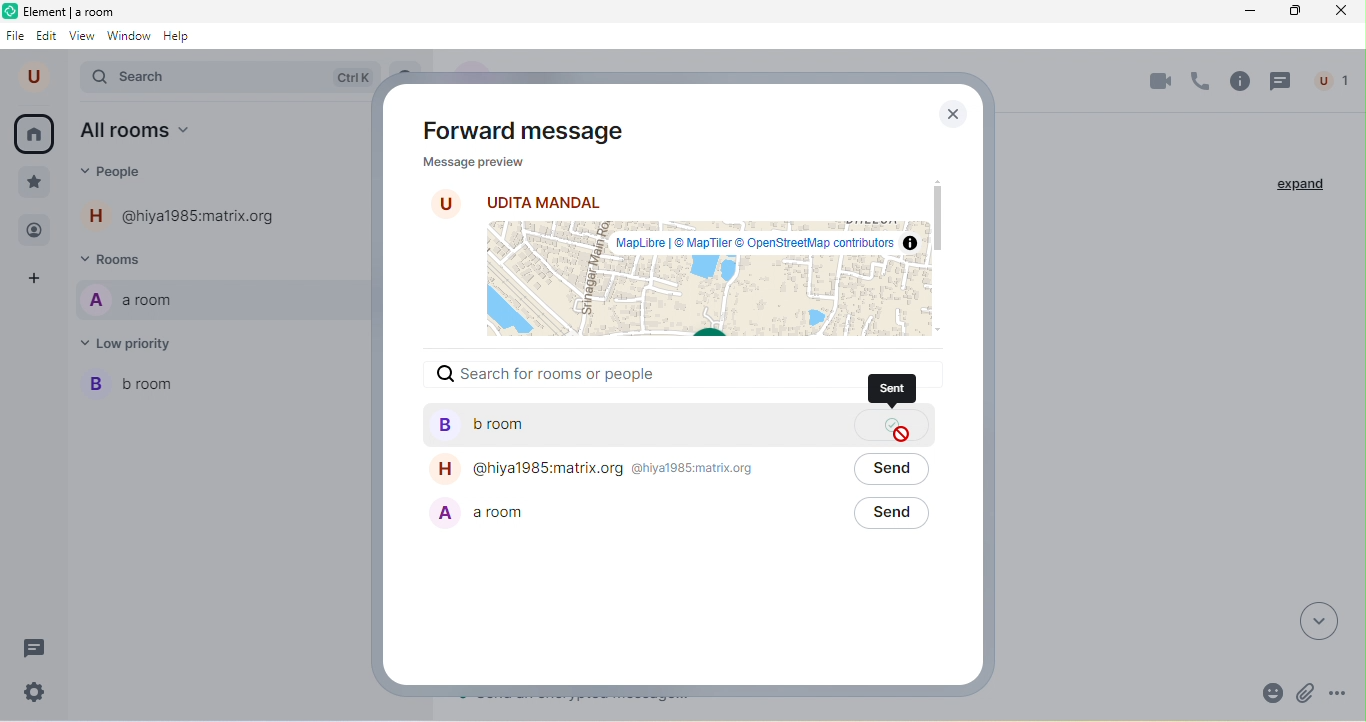  What do you see at coordinates (903, 437) in the screenshot?
I see `not clickable again sign` at bounding box center [903, 437].